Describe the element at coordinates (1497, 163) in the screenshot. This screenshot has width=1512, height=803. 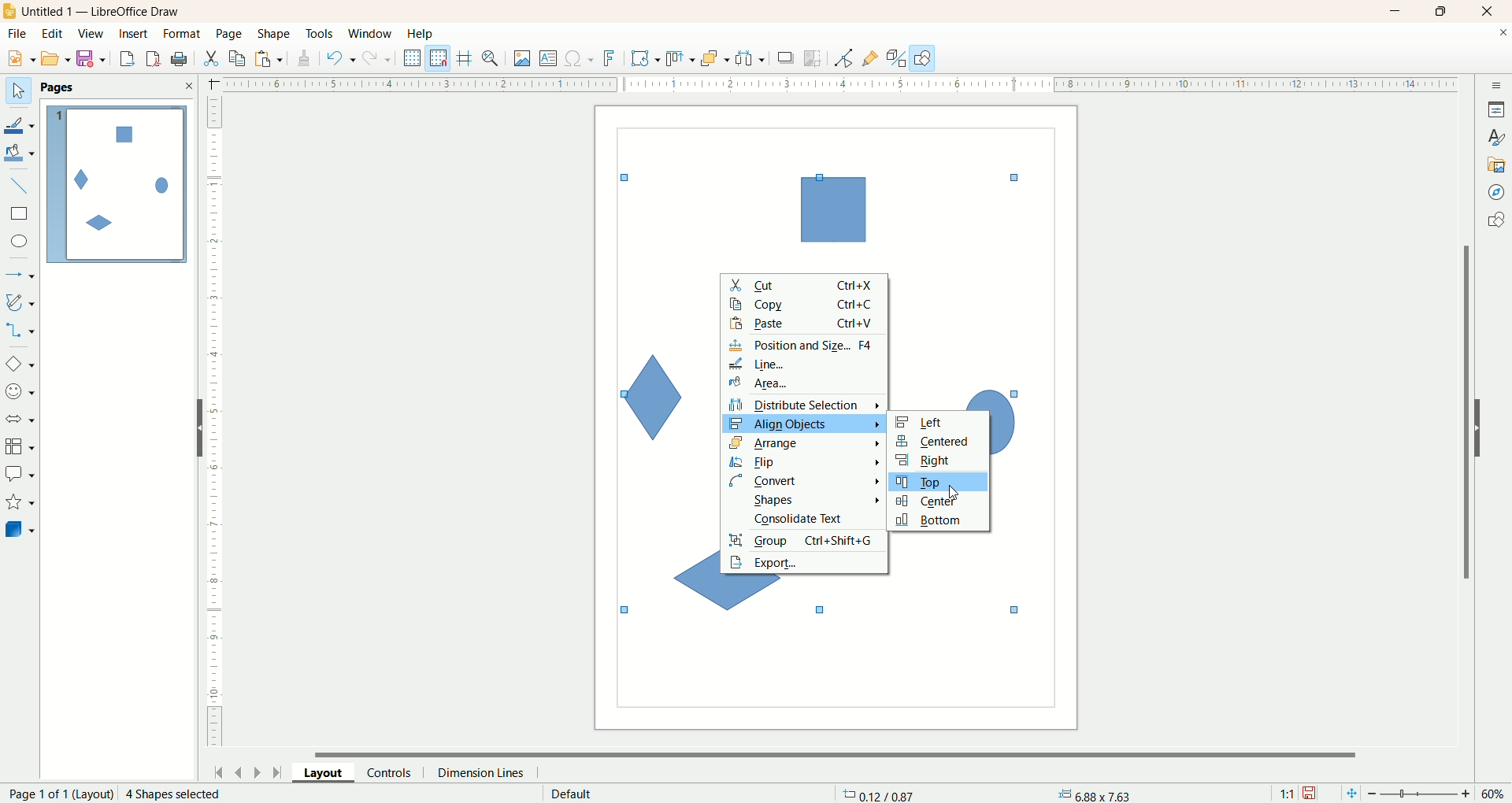
I see `gallery` at that location.